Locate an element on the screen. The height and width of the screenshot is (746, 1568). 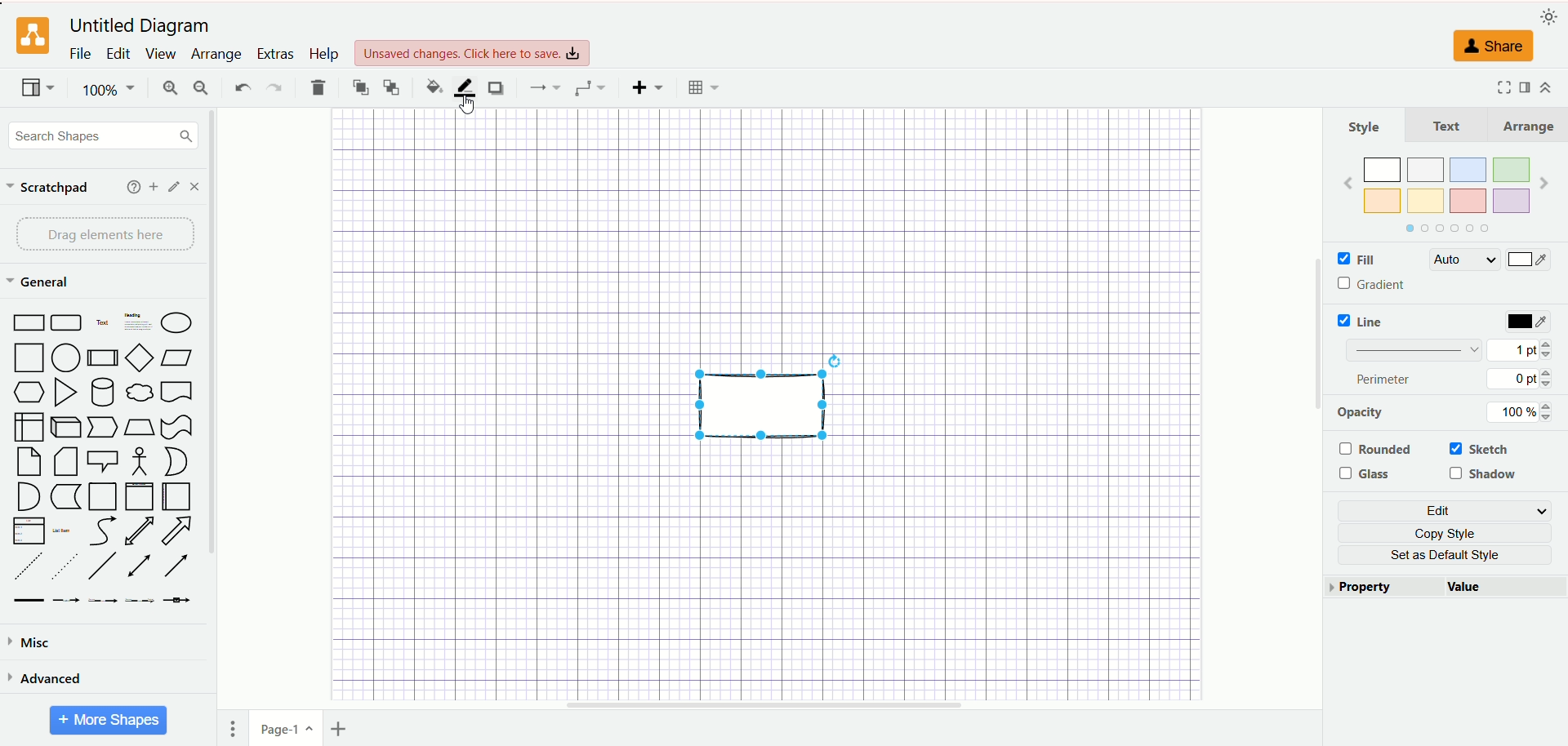
view is located at coordinates (158, 55).